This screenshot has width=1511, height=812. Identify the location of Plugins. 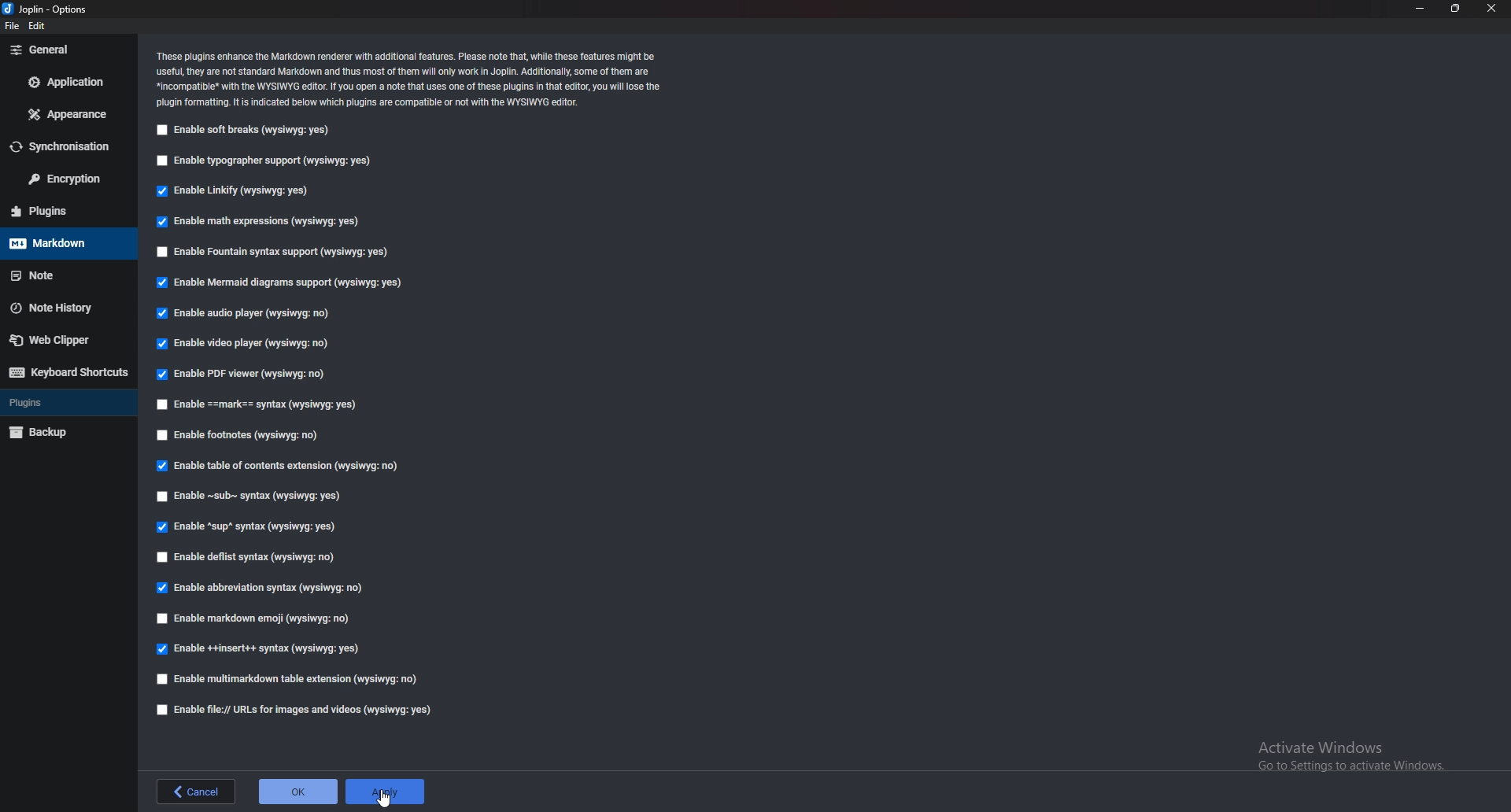
(58, 211).